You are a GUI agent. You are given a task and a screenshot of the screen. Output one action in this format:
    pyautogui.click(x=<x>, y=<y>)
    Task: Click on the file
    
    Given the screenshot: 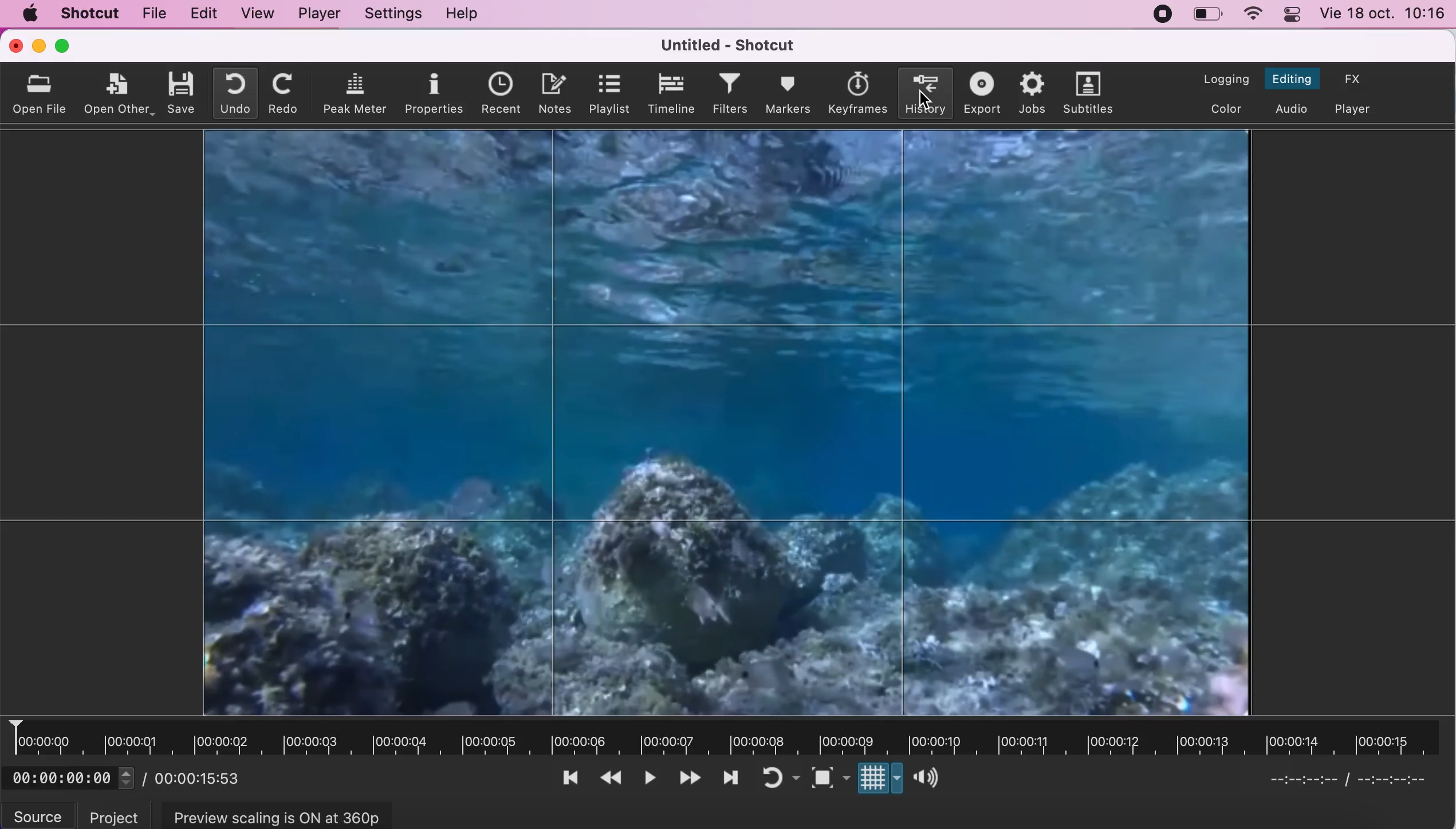 What is the action you would take?
    pyautogui.click(x=153, y=15)
    